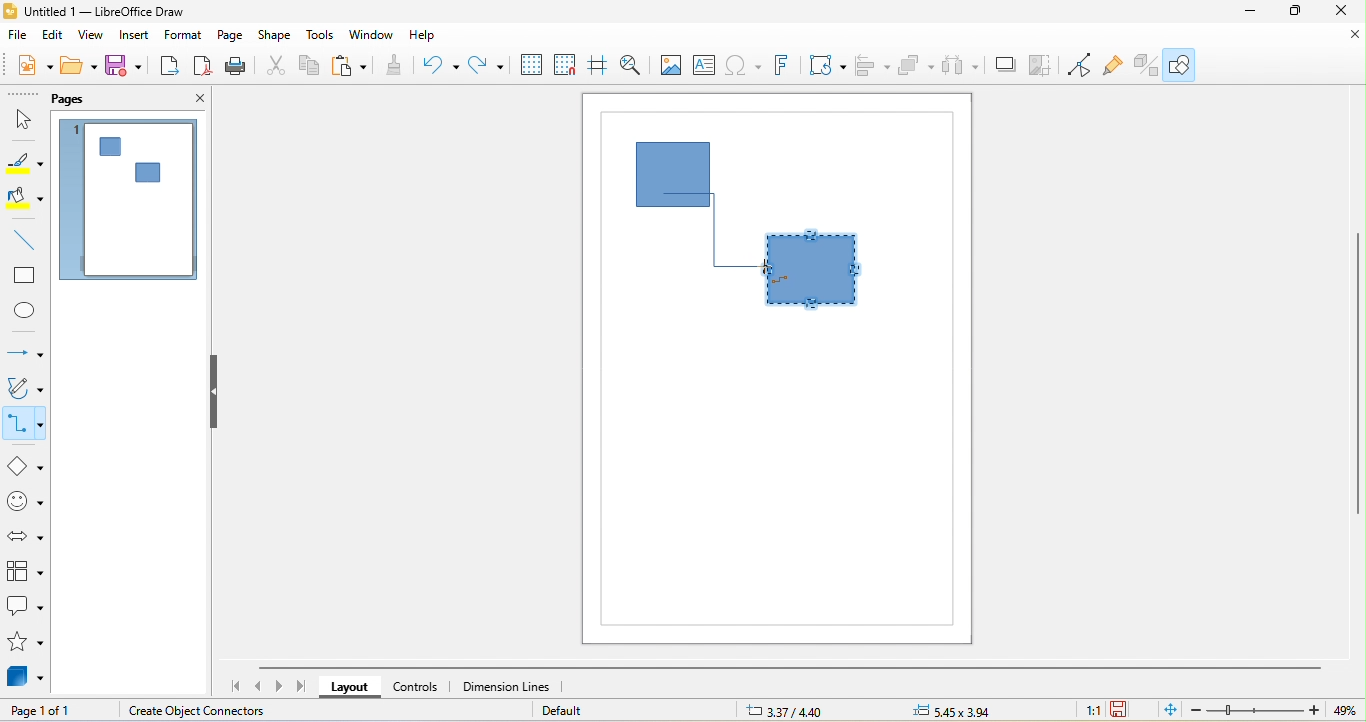 The height and width of the screenshot is (722, 1366). I want to click on export, so click(169, 66).